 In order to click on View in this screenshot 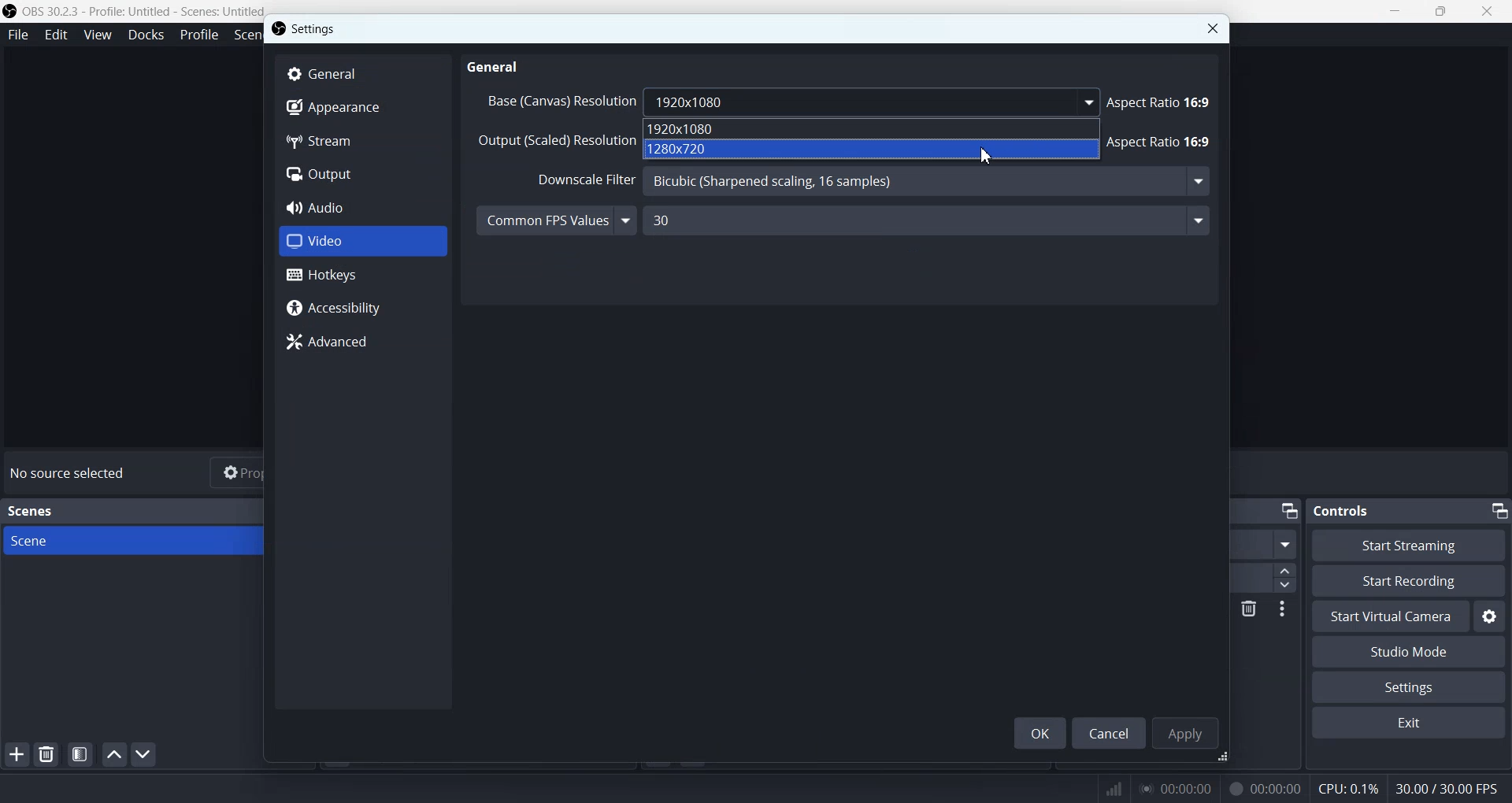, I will do `click(97, 35)`.